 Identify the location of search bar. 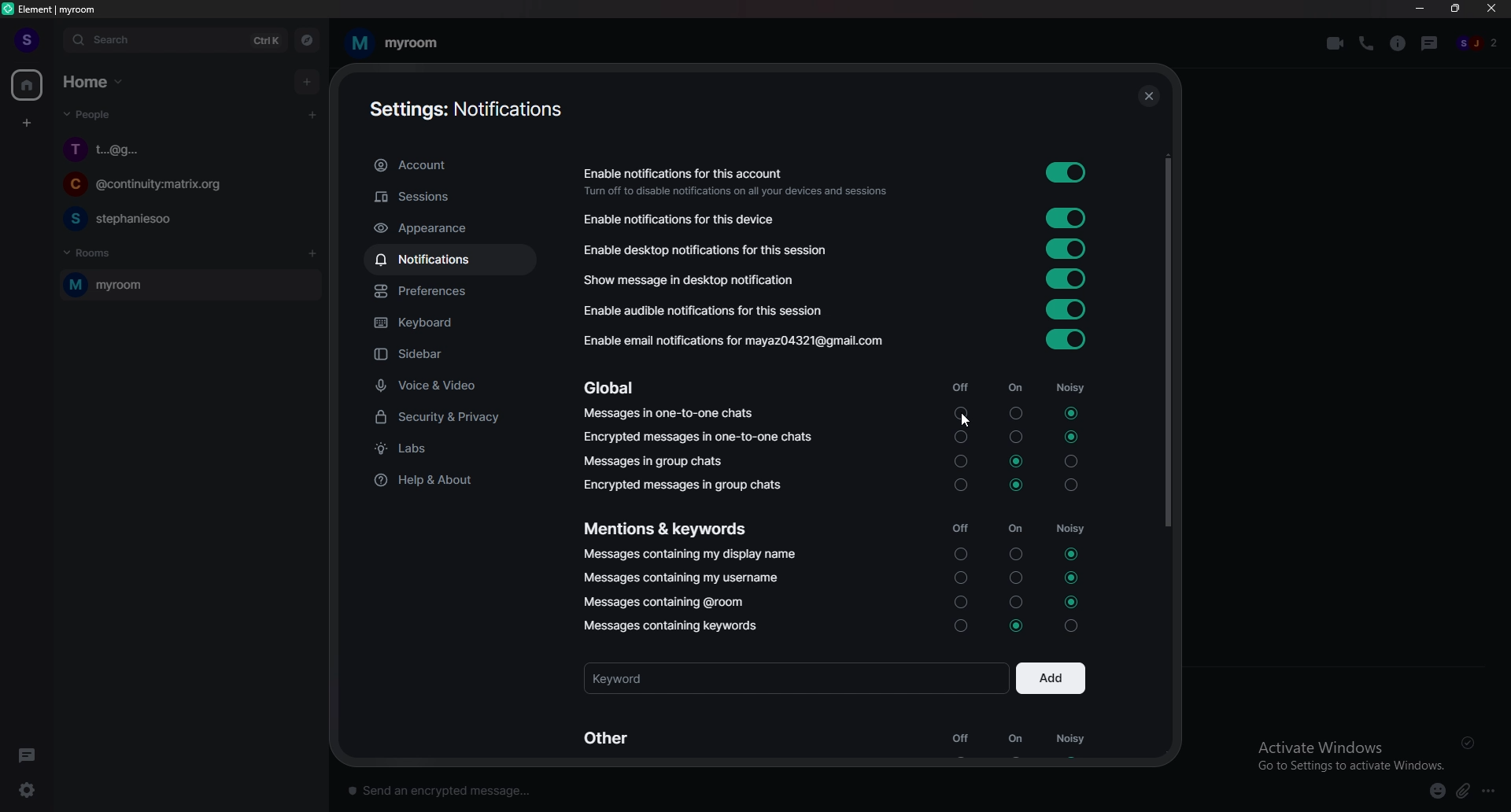
(176, 39).